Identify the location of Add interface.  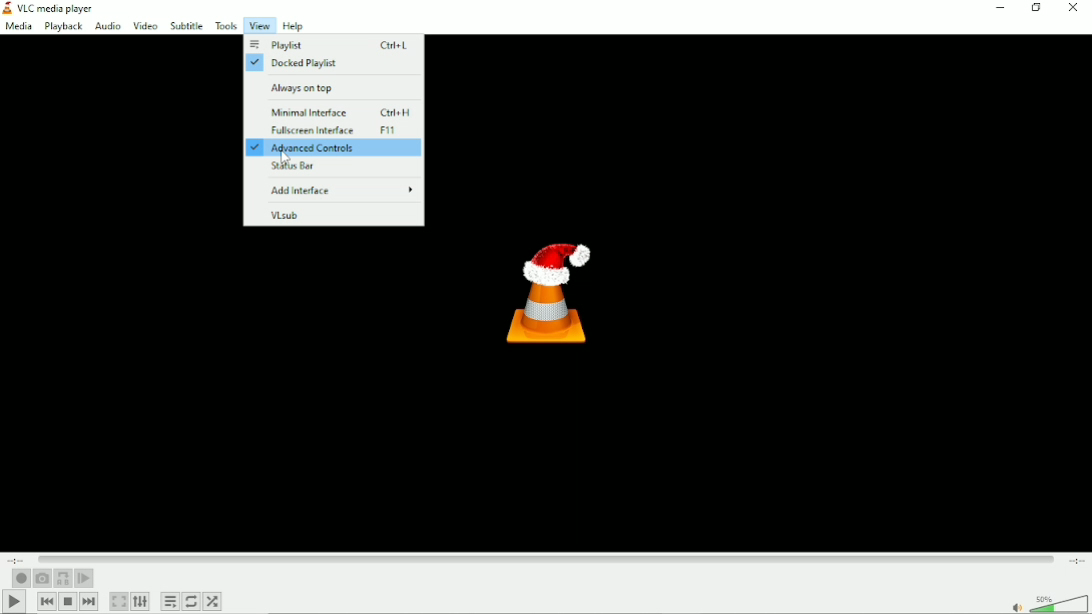
(343, 190).